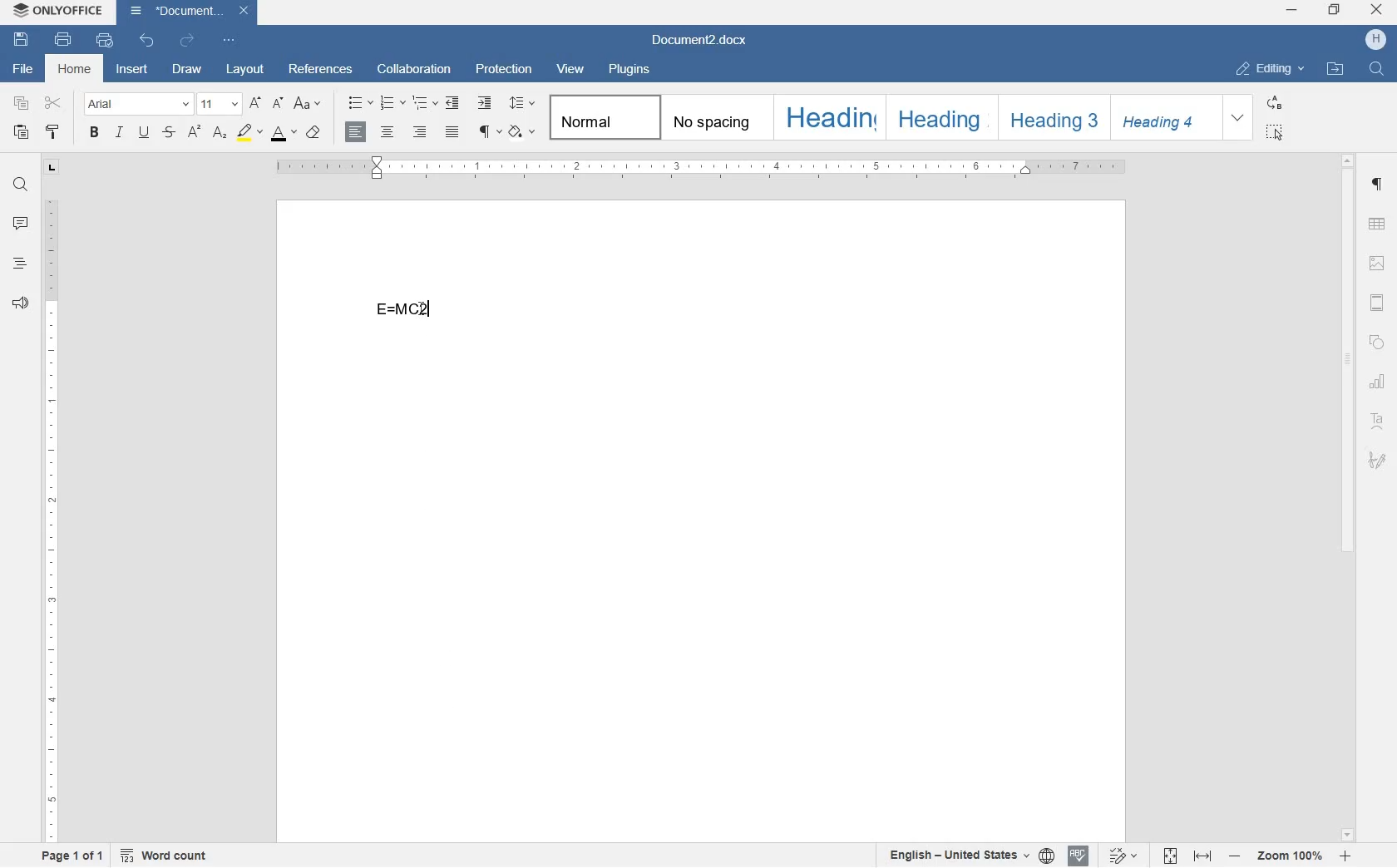 This screenshot has width=1397, height=868. Describe the element at coordinates (185, 44) in the screenshot. I see `redo` at that location.